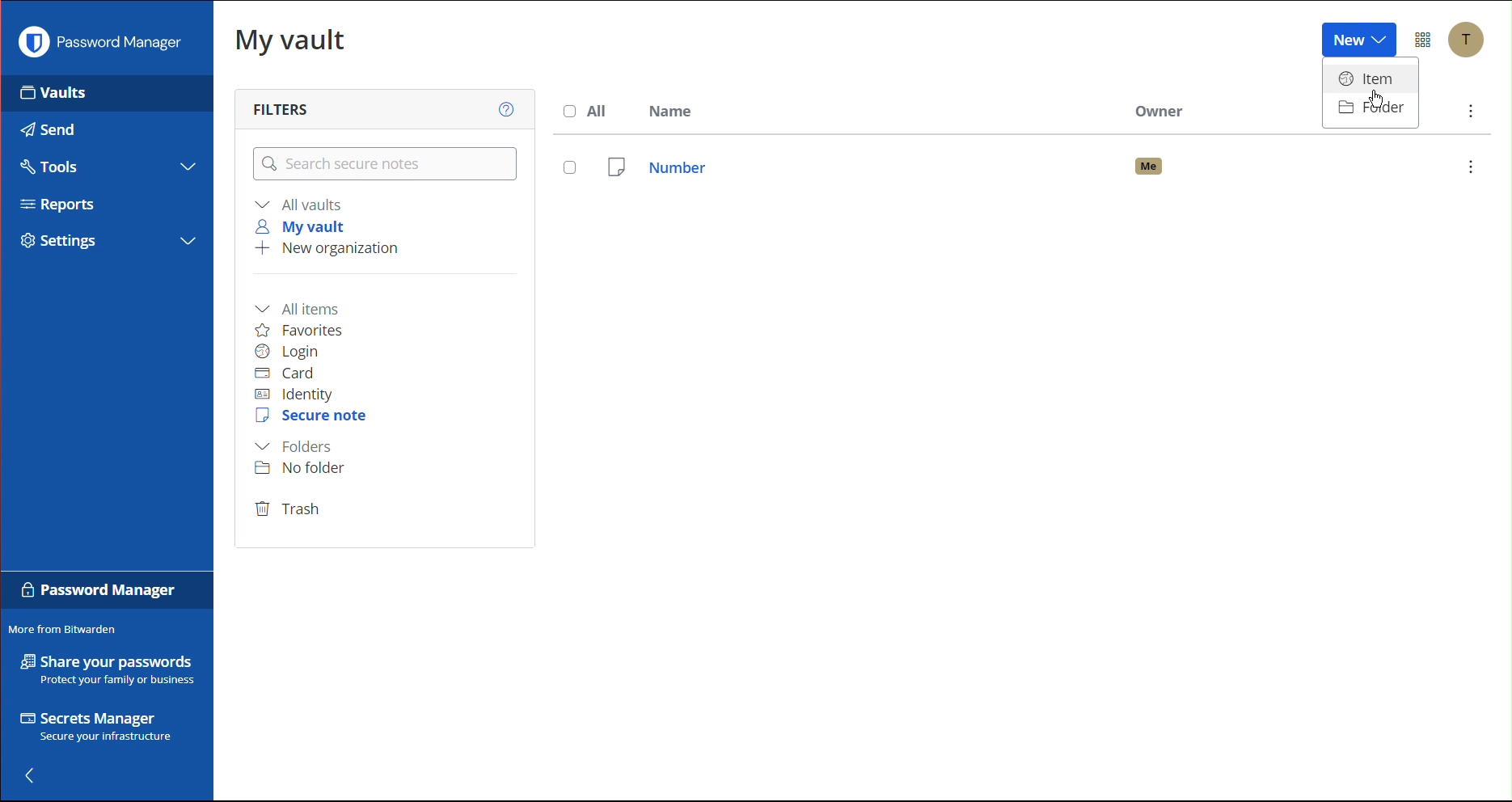 Image resolution: width=1512 pixels, height=802 pixels. I want to click on Password, so click(99, 593).